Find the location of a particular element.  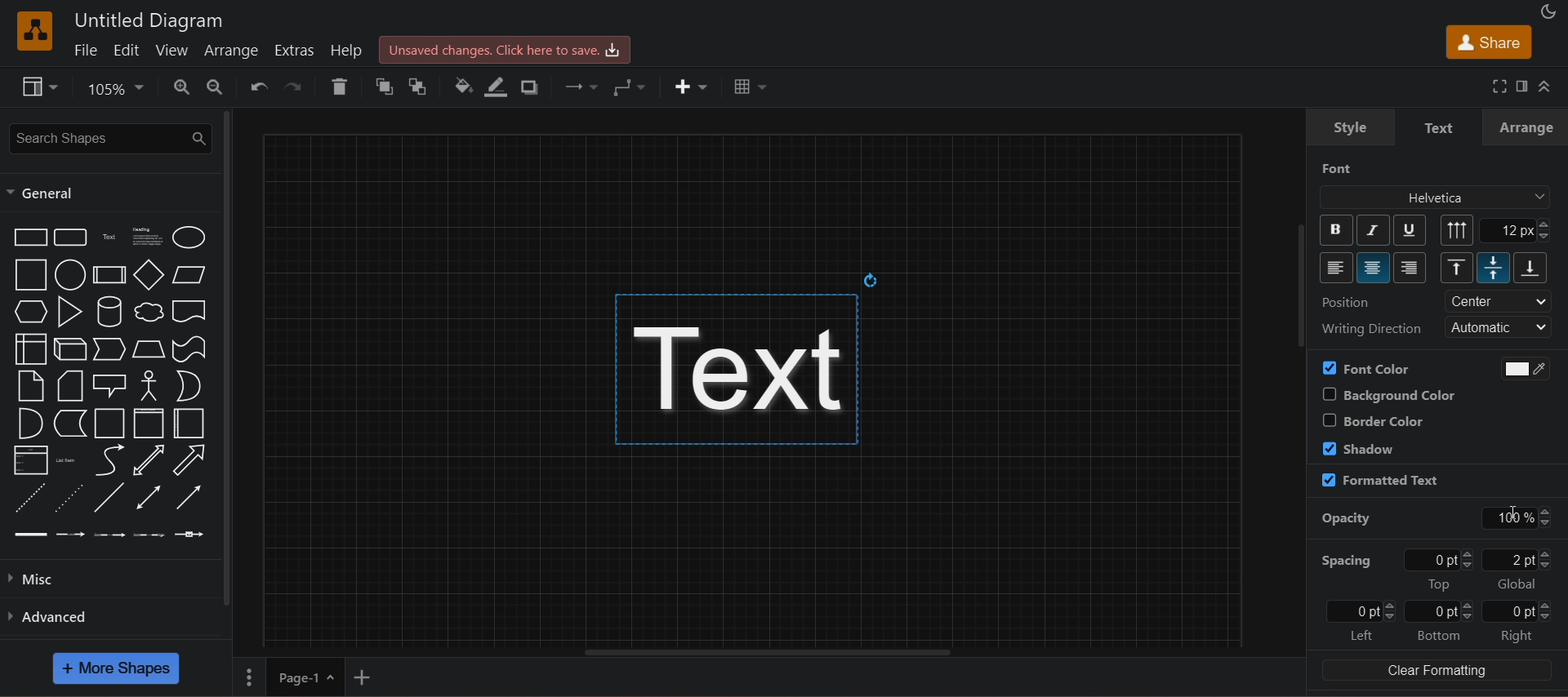

top is located at coordinates (1457, 267).